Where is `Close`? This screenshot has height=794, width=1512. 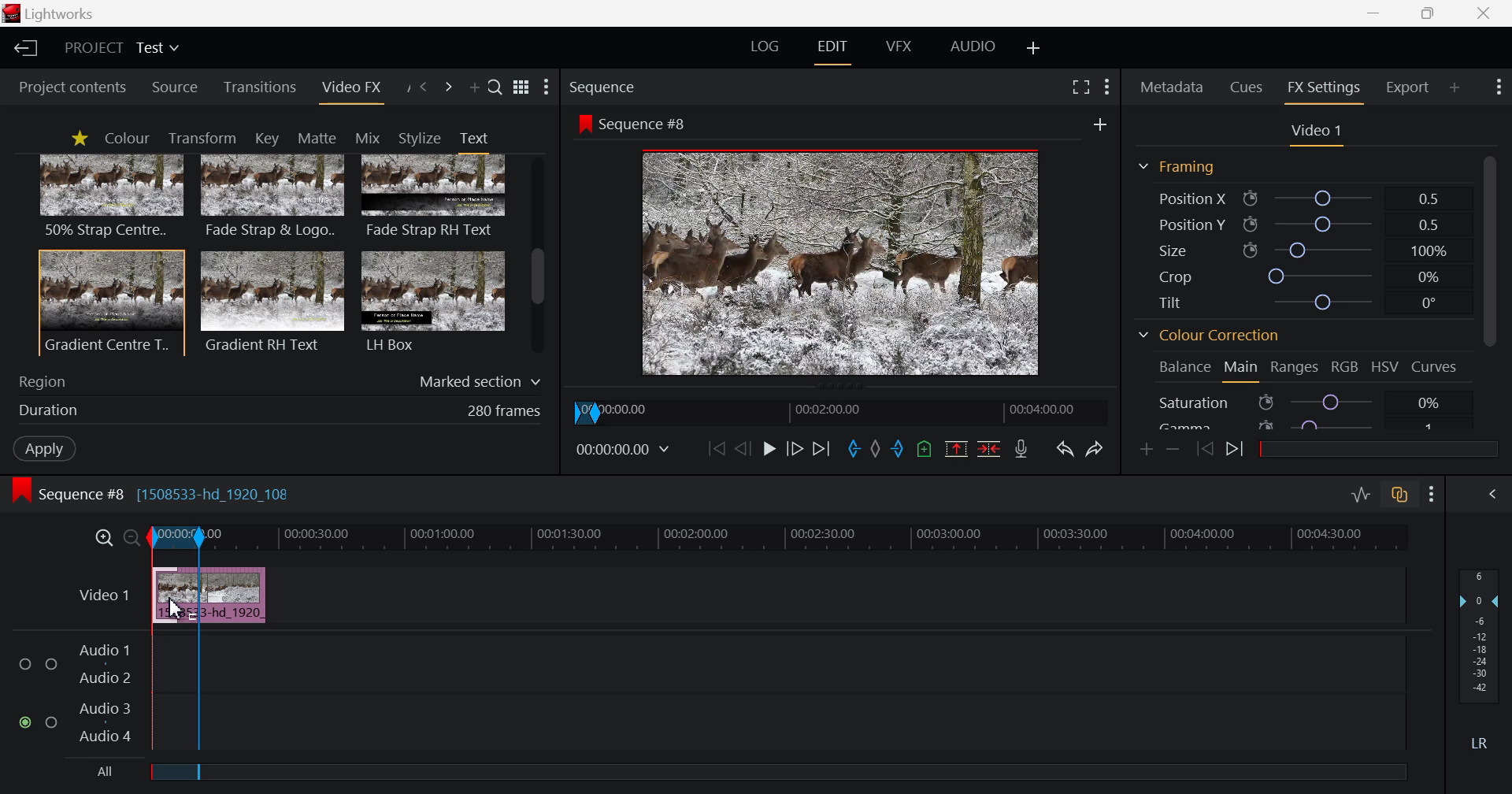 Close is located at coordinates (1485, 13).